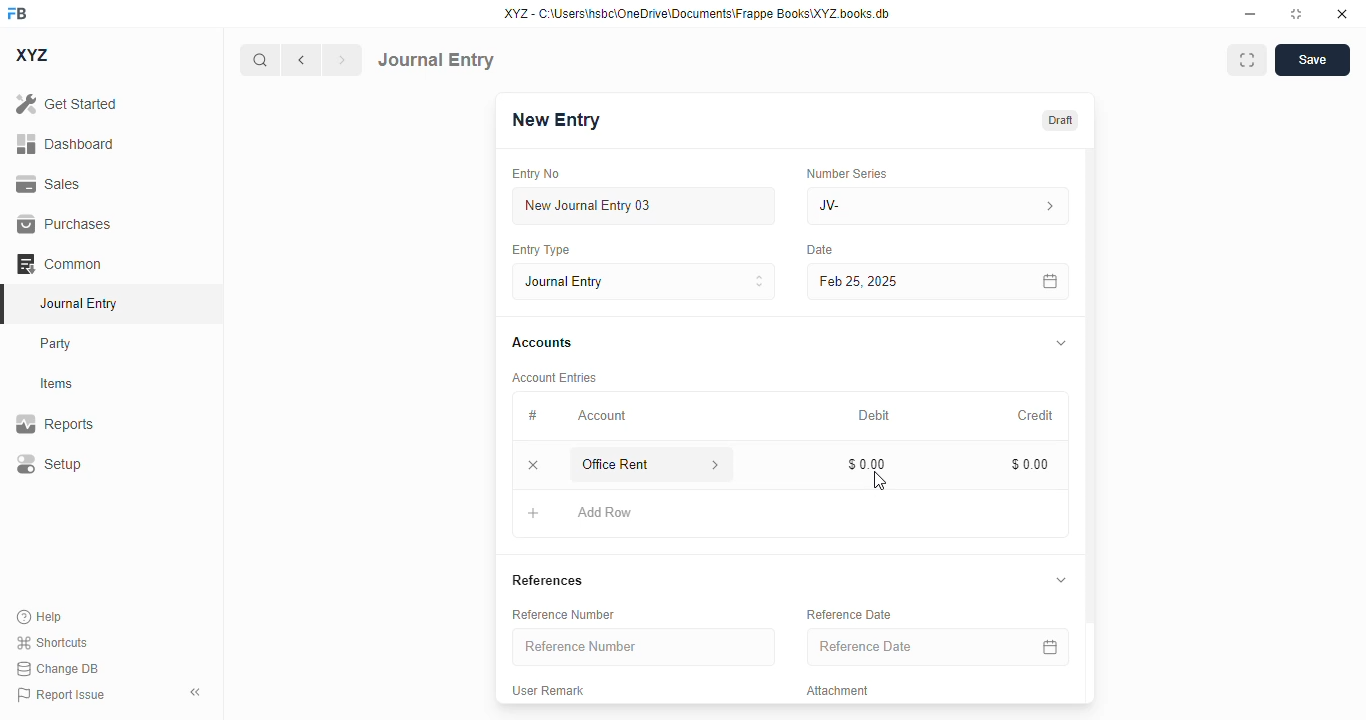 This screenshot has height=720, width=1366. Describe the element at coordinates (532, 416) in the screenshot. I see `#` at that location.